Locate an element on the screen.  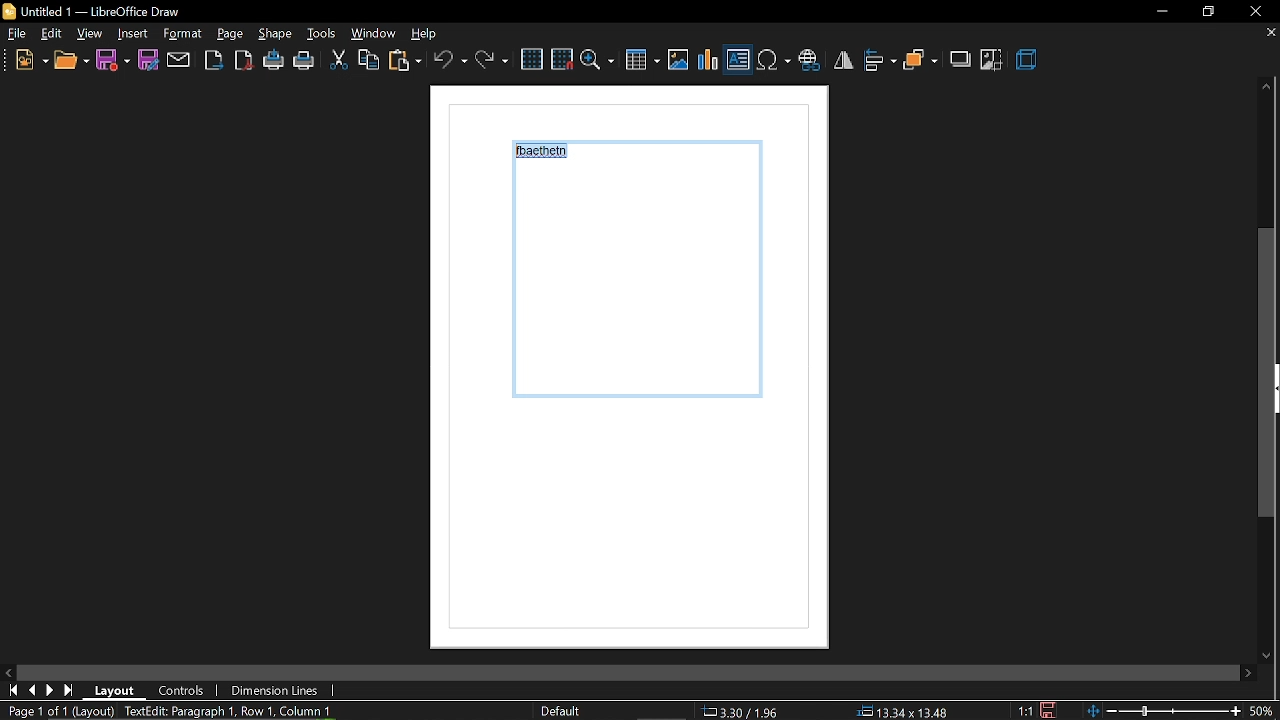
Minimize is located at coordinates (1161, 12).